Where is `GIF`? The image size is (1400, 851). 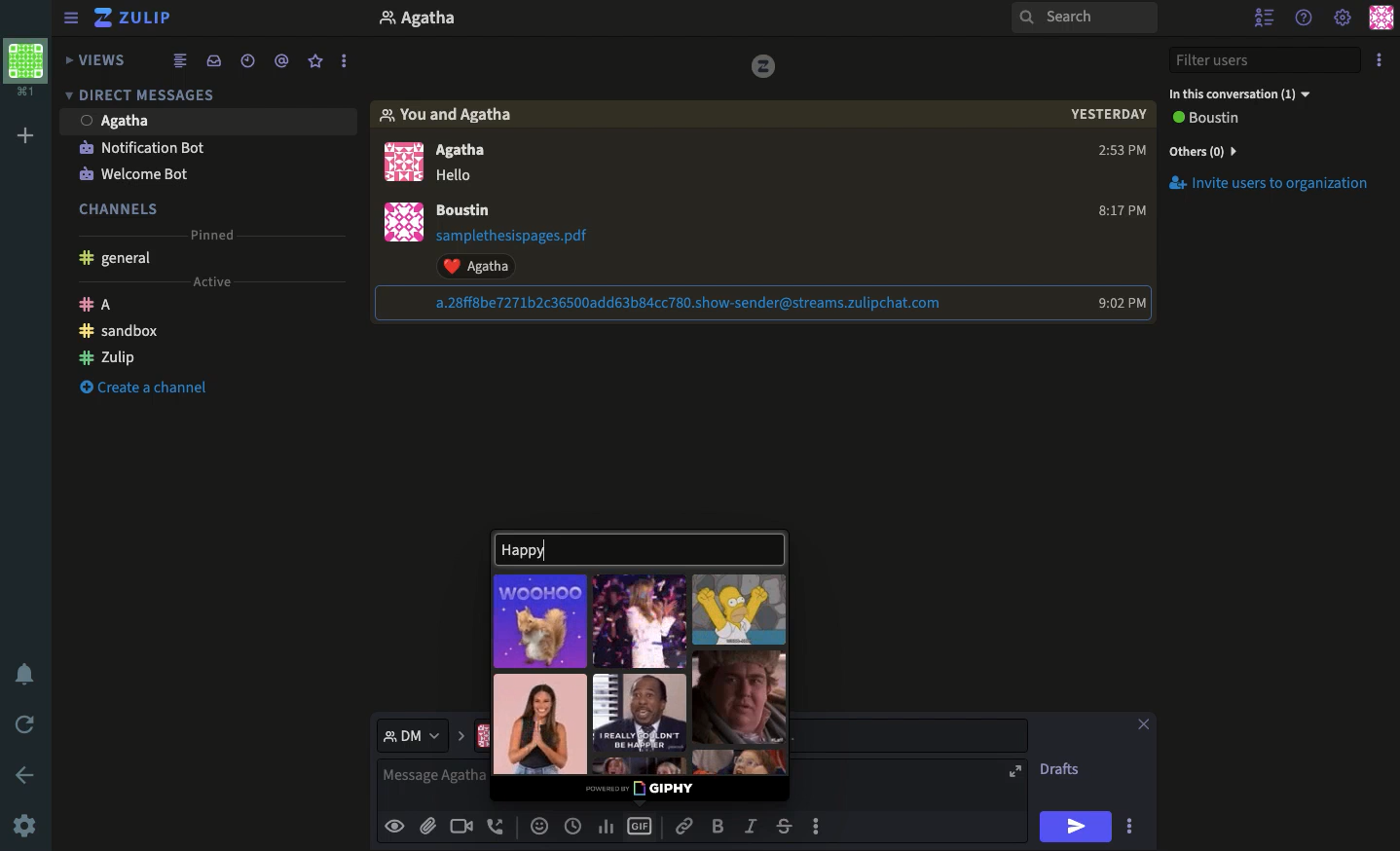
GIF is located at coordinates (738, 697).